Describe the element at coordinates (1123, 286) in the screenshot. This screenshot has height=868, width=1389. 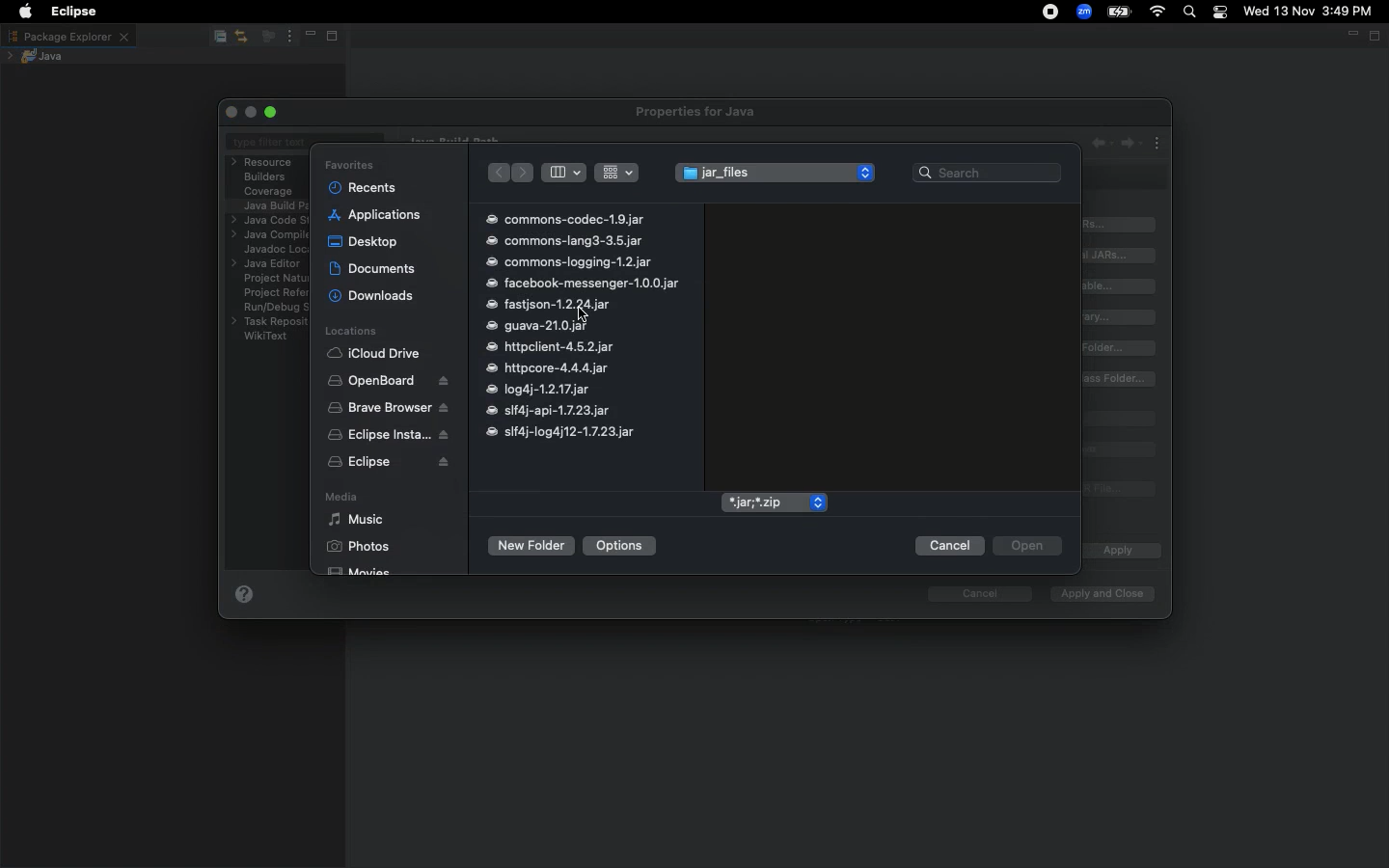
I see `Add variable` at that location.